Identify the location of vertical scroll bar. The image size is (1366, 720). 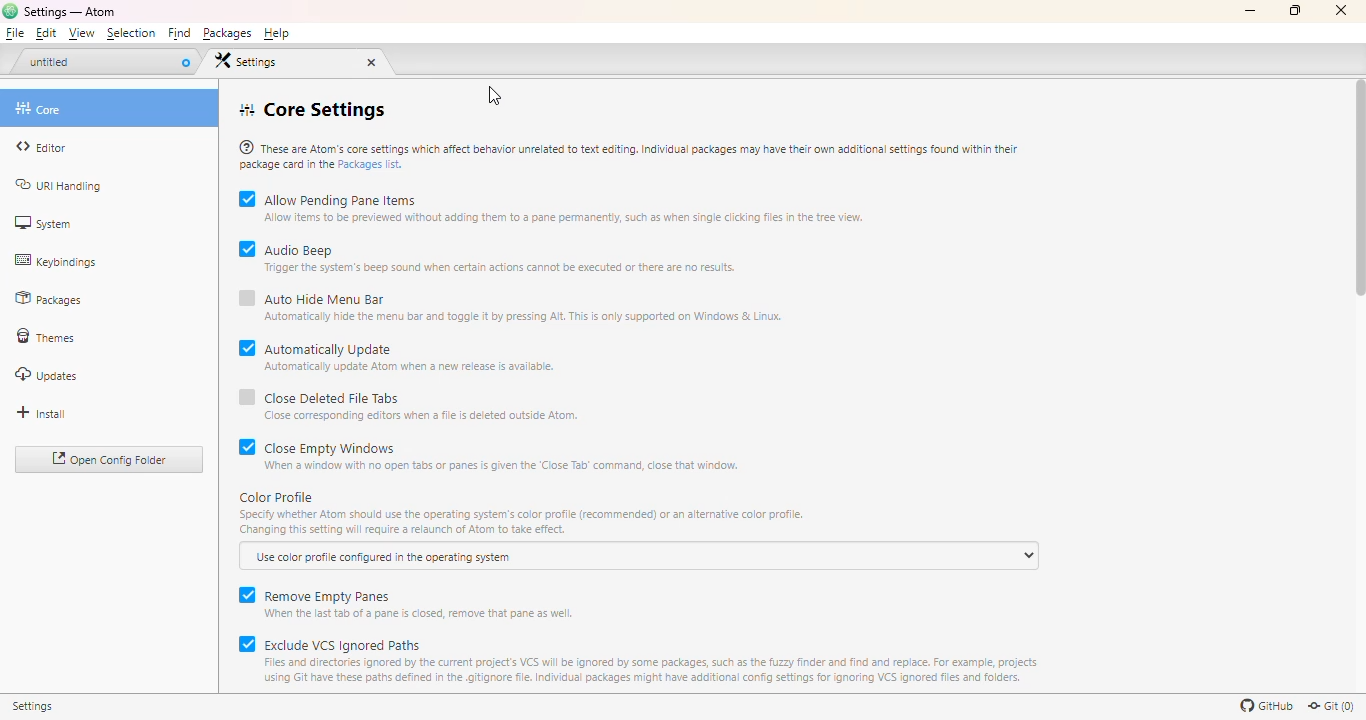
(1361, 188).